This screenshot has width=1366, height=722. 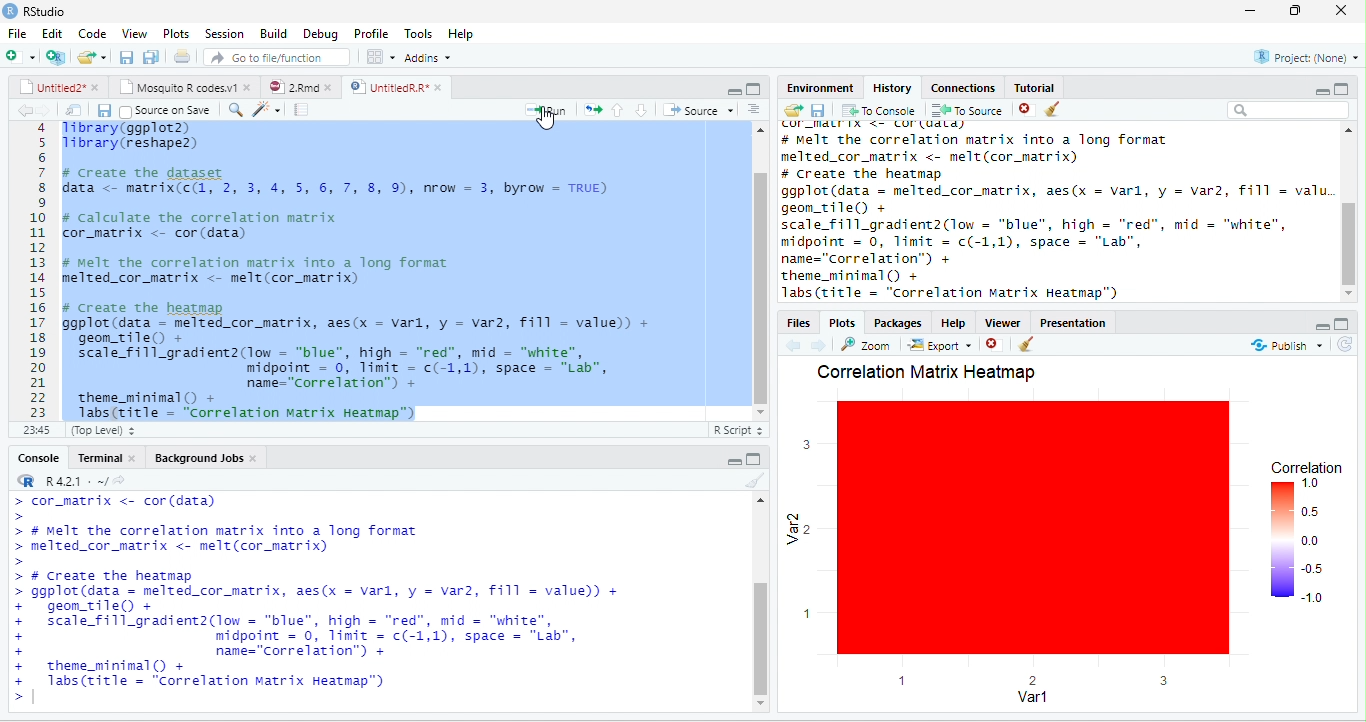 I want to click on minimize, so click(x=1313, y=89).